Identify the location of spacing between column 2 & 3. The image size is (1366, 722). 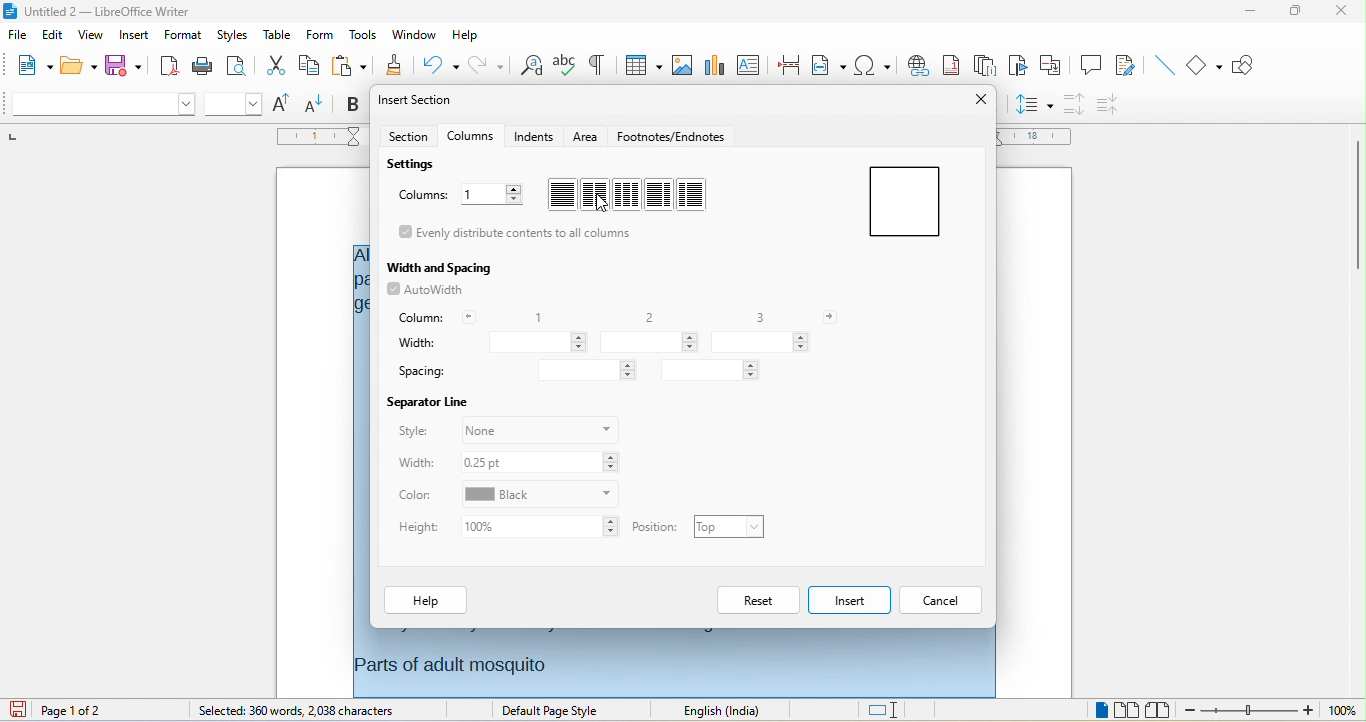
(711, 370).